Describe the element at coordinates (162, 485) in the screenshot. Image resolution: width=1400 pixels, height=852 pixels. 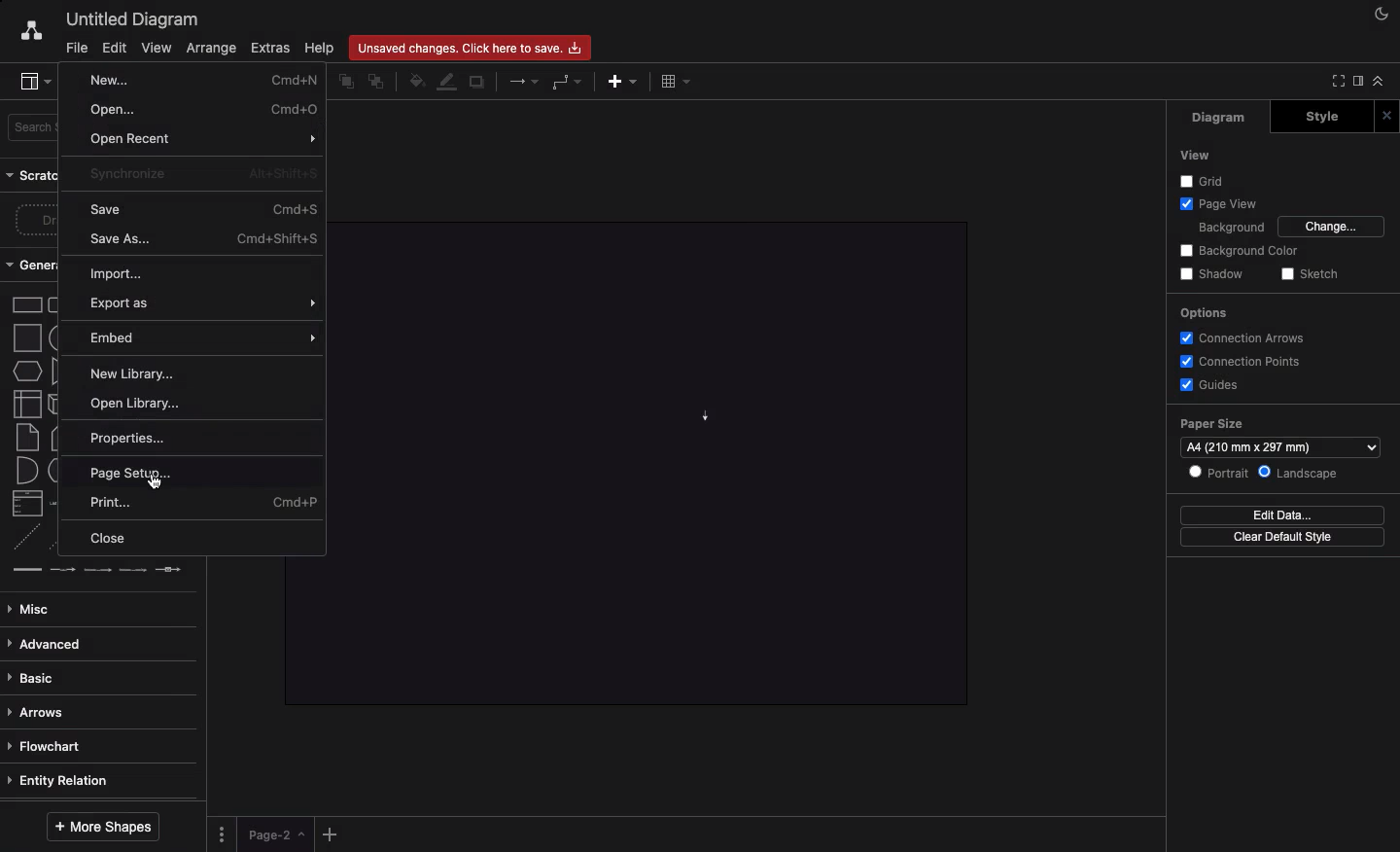
I see `Cursor` at that location.